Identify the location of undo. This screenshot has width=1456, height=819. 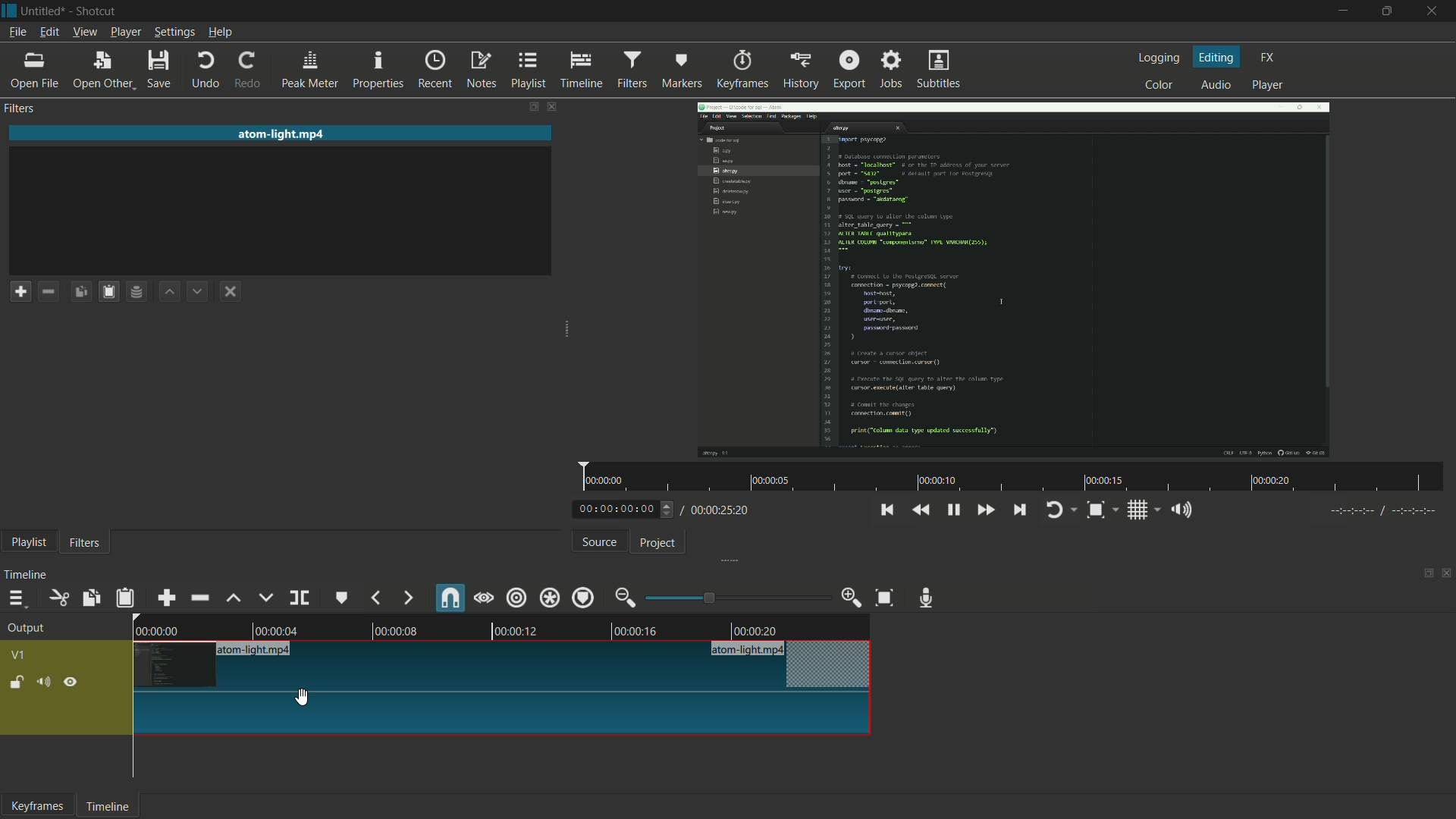
(203, 68).